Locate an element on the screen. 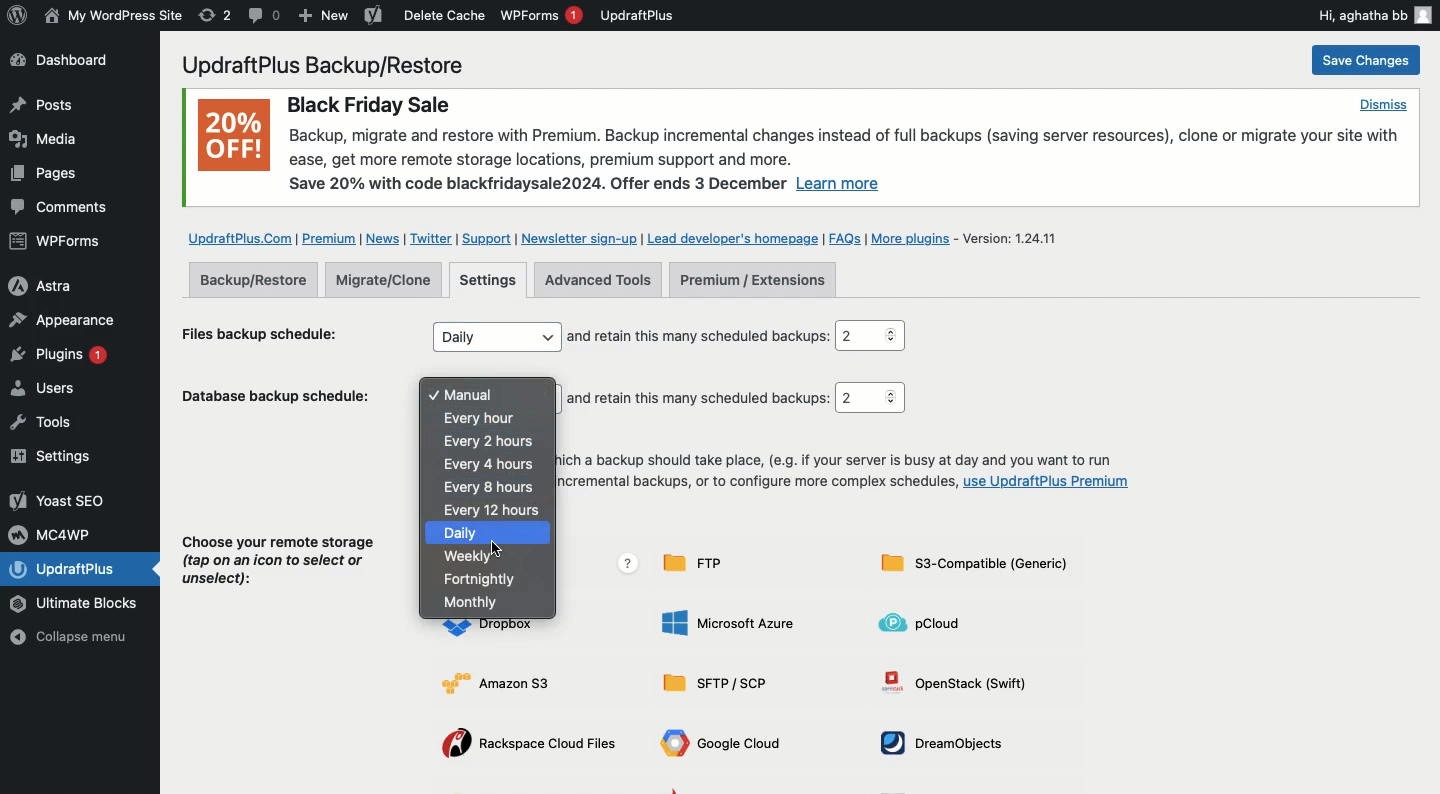 This screenshot has height=794, width=1440. Collapse menu is located at coordinates (77, 639).